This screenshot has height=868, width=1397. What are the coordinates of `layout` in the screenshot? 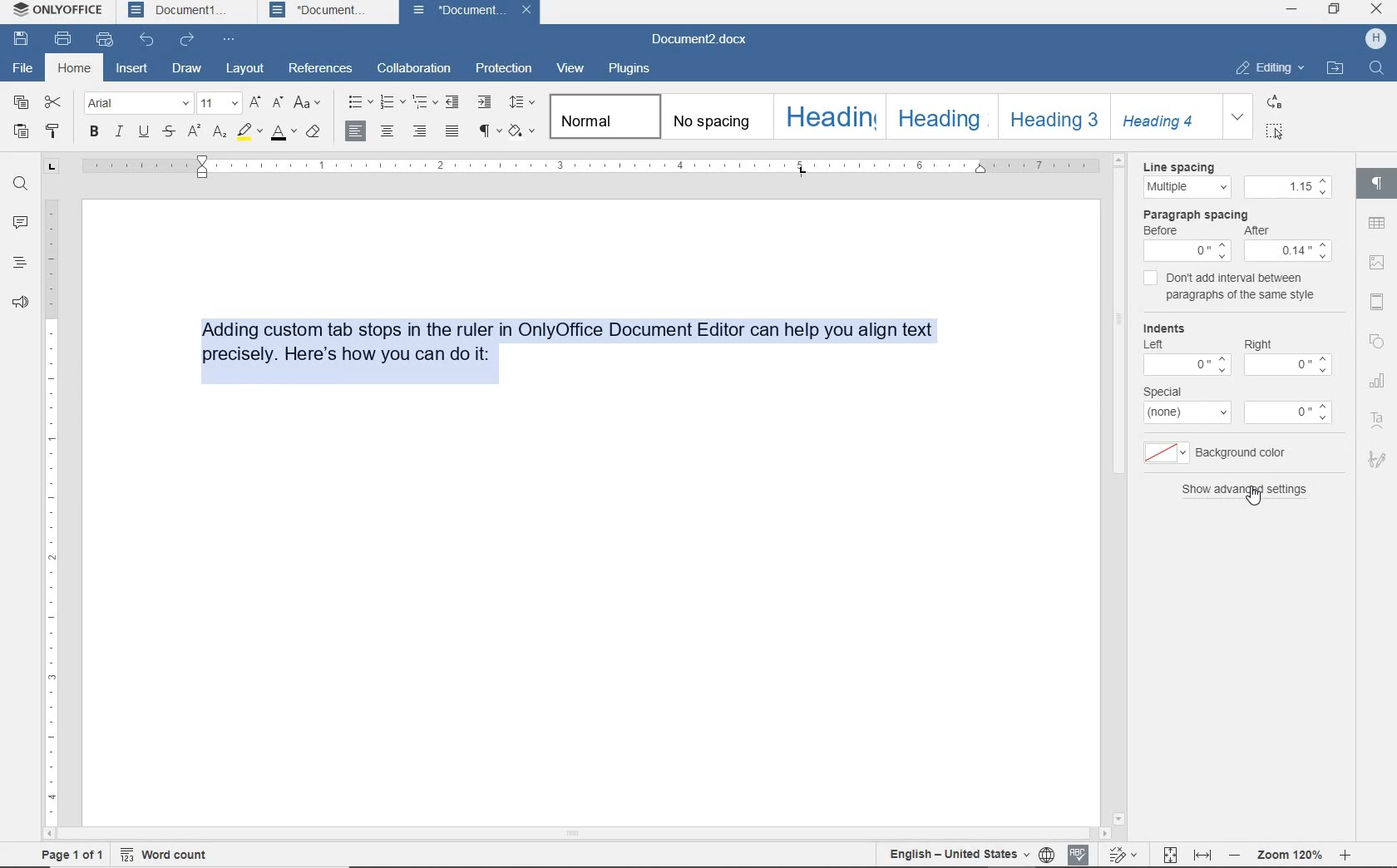 It's located at (248, 68).